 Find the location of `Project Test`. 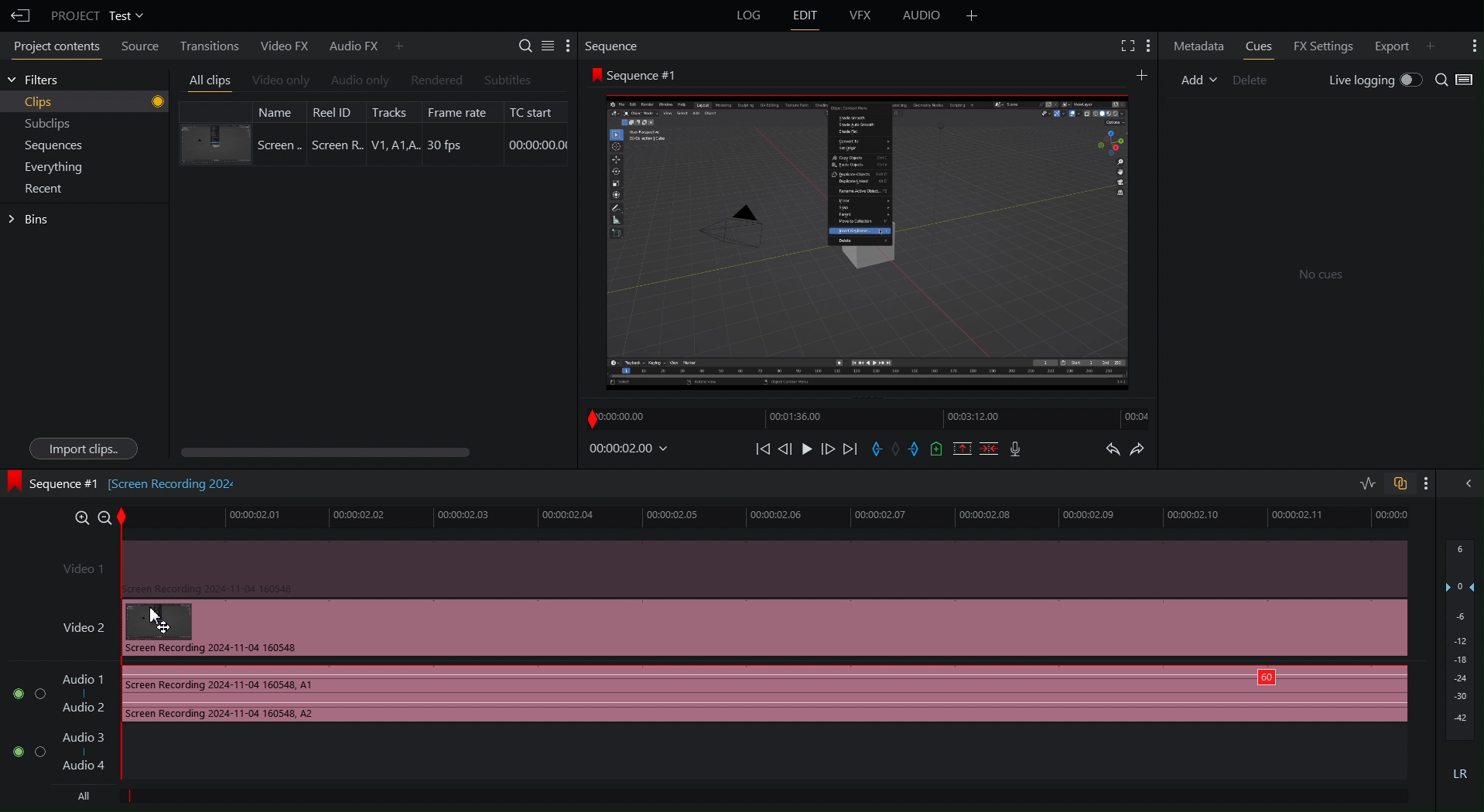

Project Test is located at coordinates (97, 15).